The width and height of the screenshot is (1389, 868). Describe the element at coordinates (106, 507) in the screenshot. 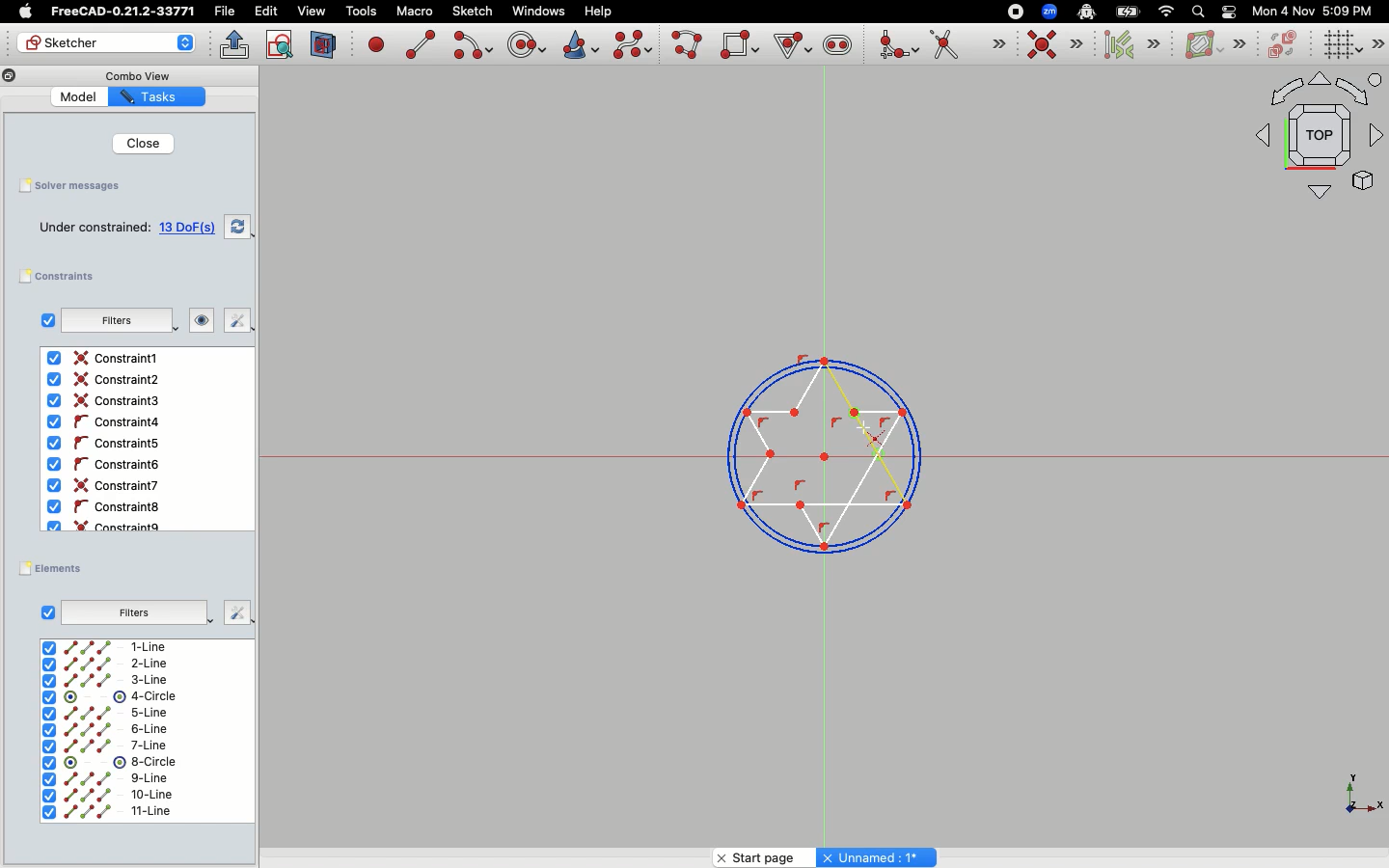

I see `Constraint8` at that location.